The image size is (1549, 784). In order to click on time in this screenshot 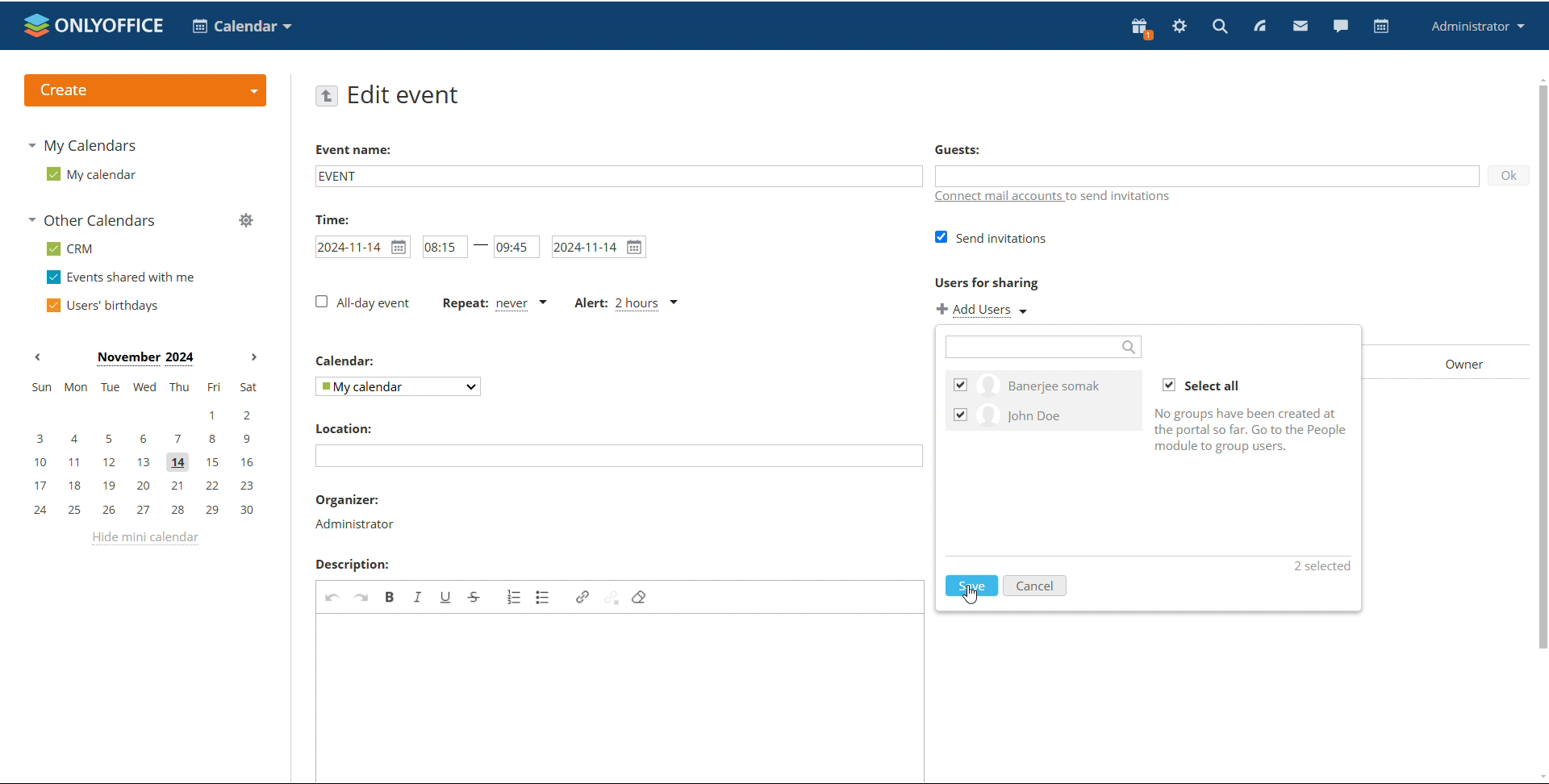, I will do `click(329, 219)`.